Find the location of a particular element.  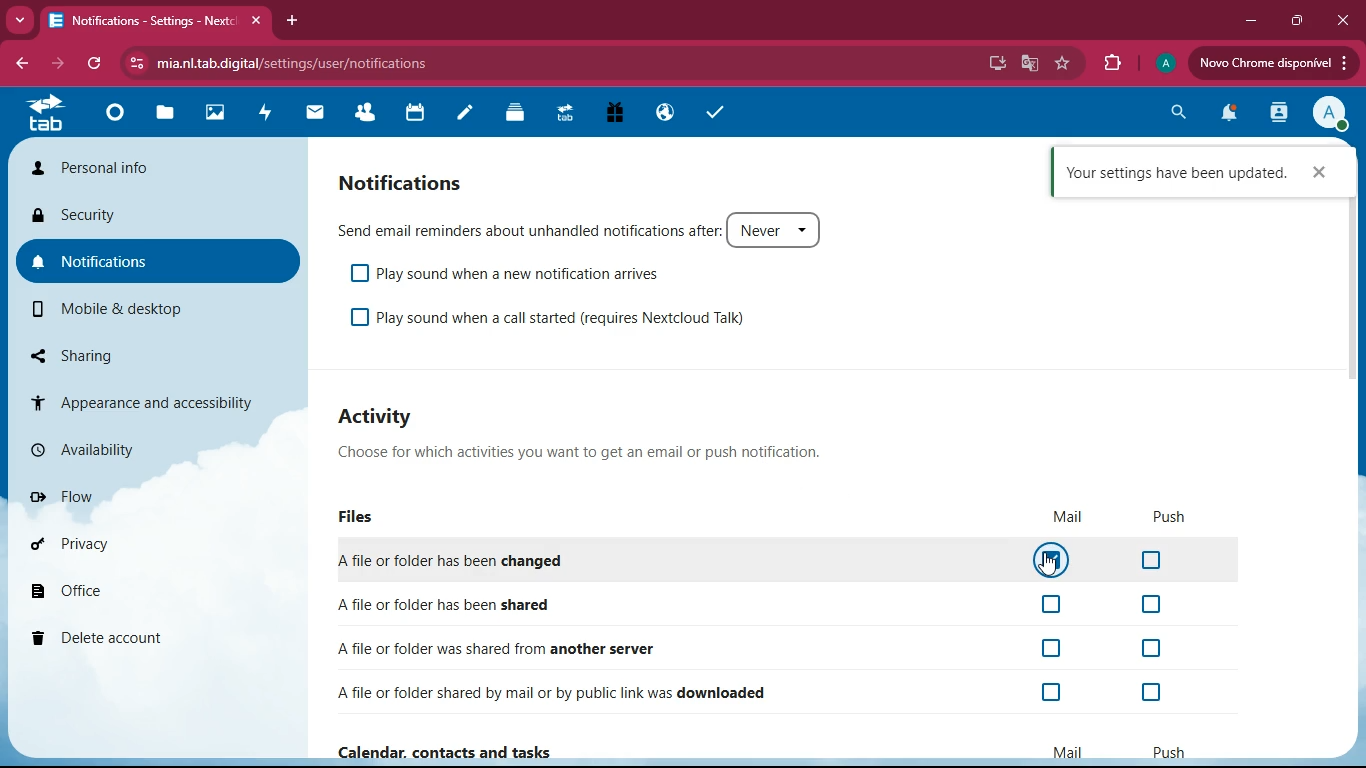

calendar is located at coordinates (415, 115).